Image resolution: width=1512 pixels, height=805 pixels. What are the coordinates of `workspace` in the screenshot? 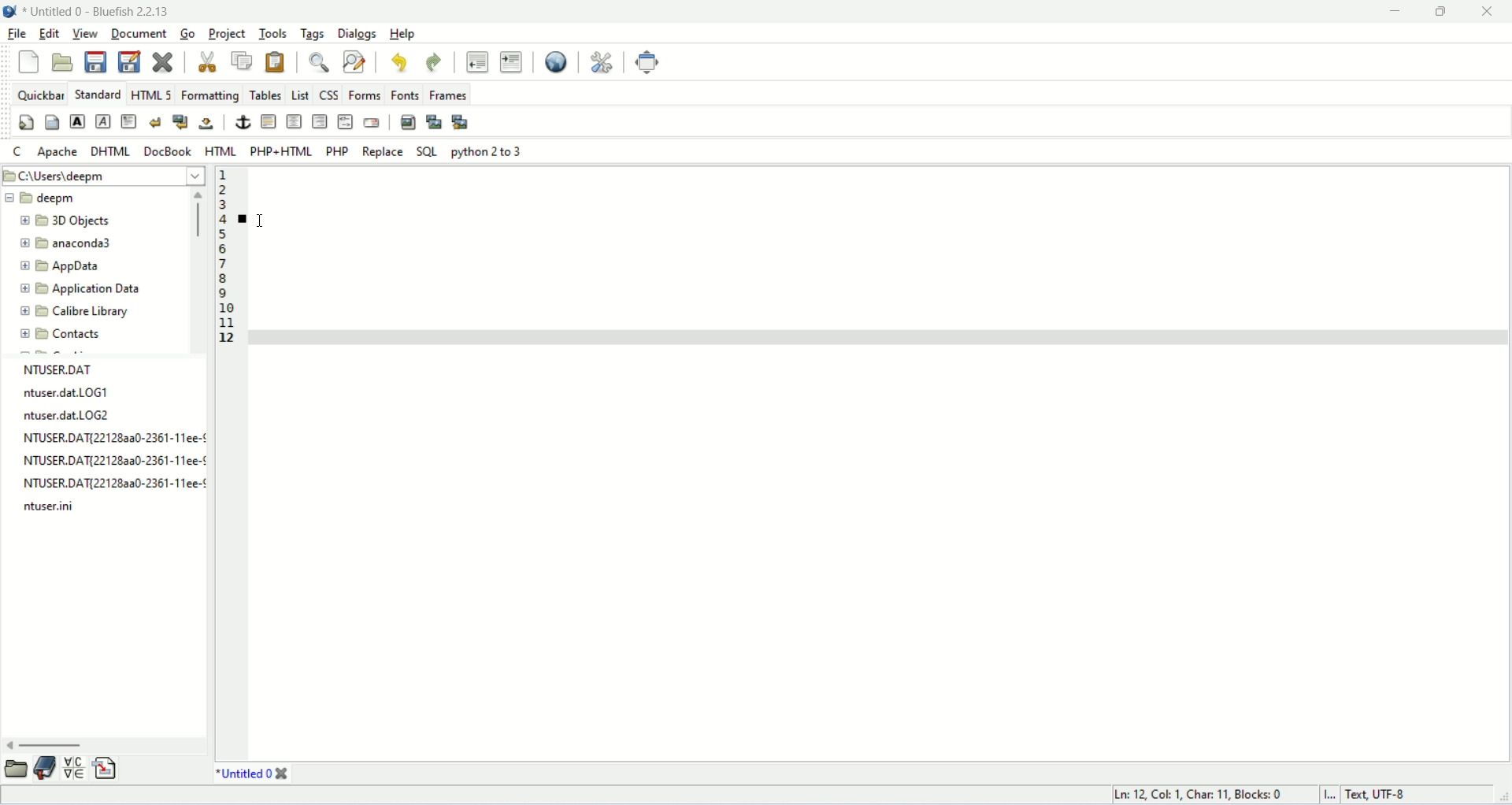 It's located at (880, 501).